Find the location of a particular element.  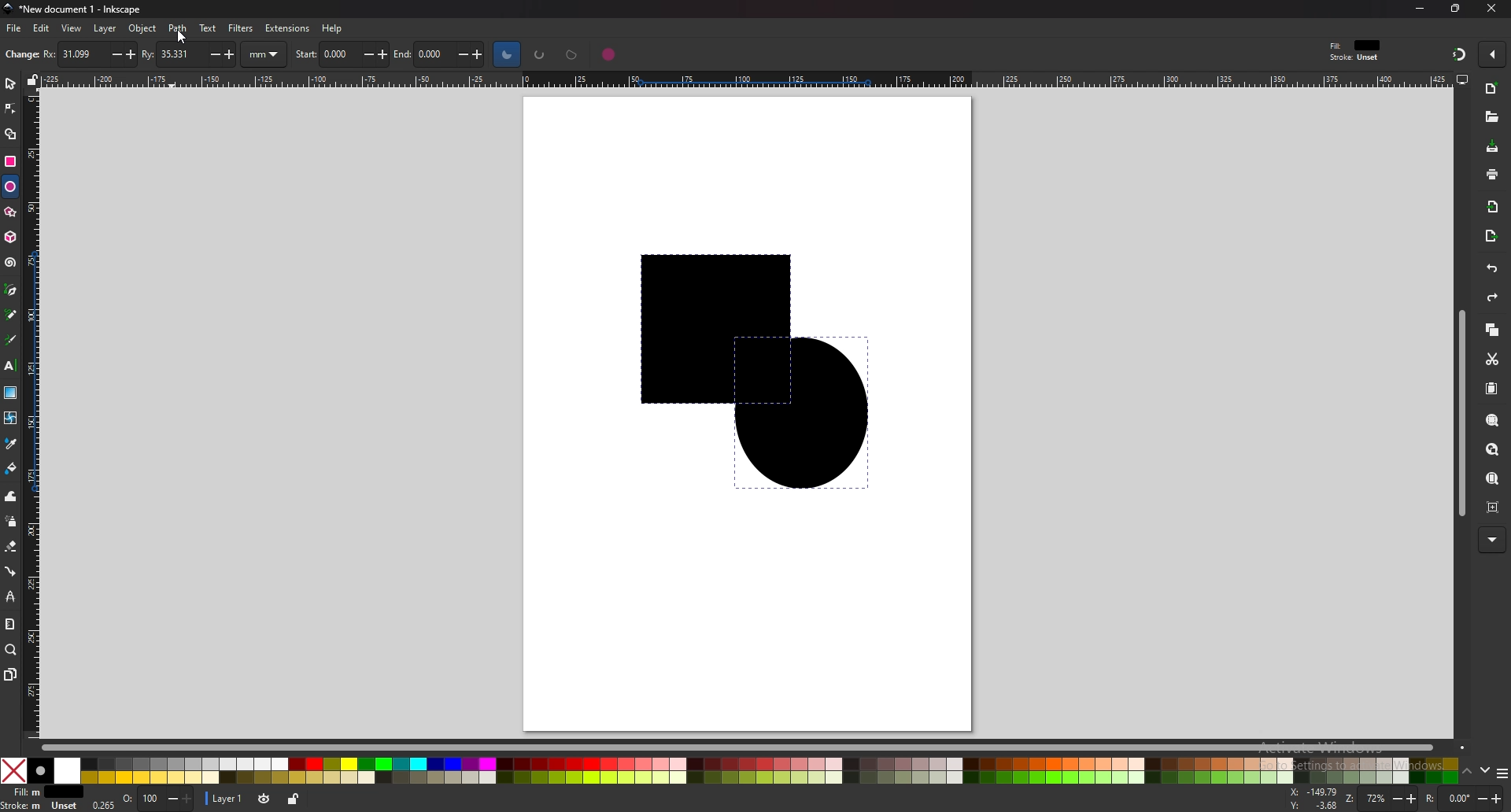

file is located at coordinates (15, 28).